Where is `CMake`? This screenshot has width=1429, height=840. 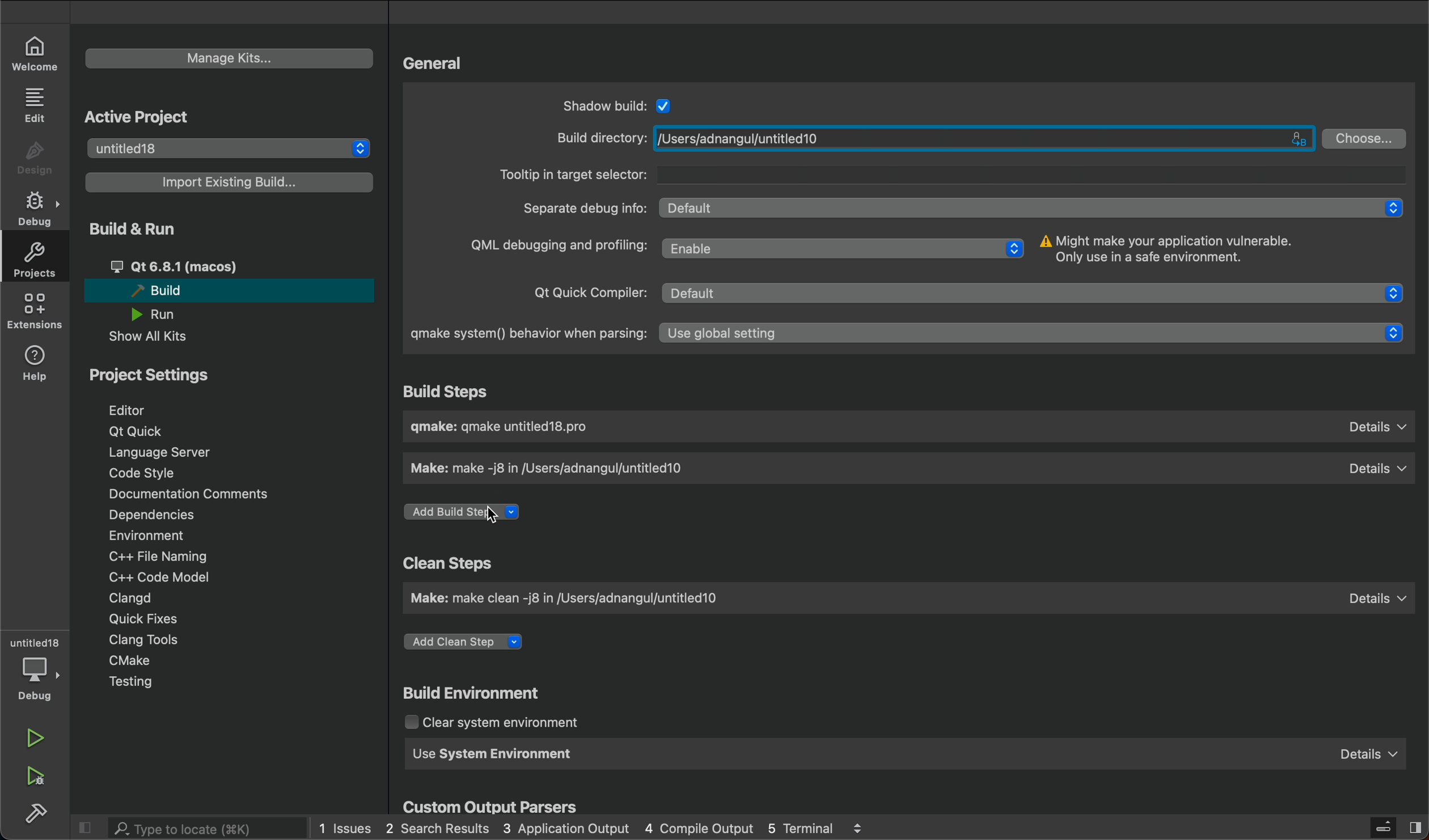
CMake is located at coordinates (128, 660).